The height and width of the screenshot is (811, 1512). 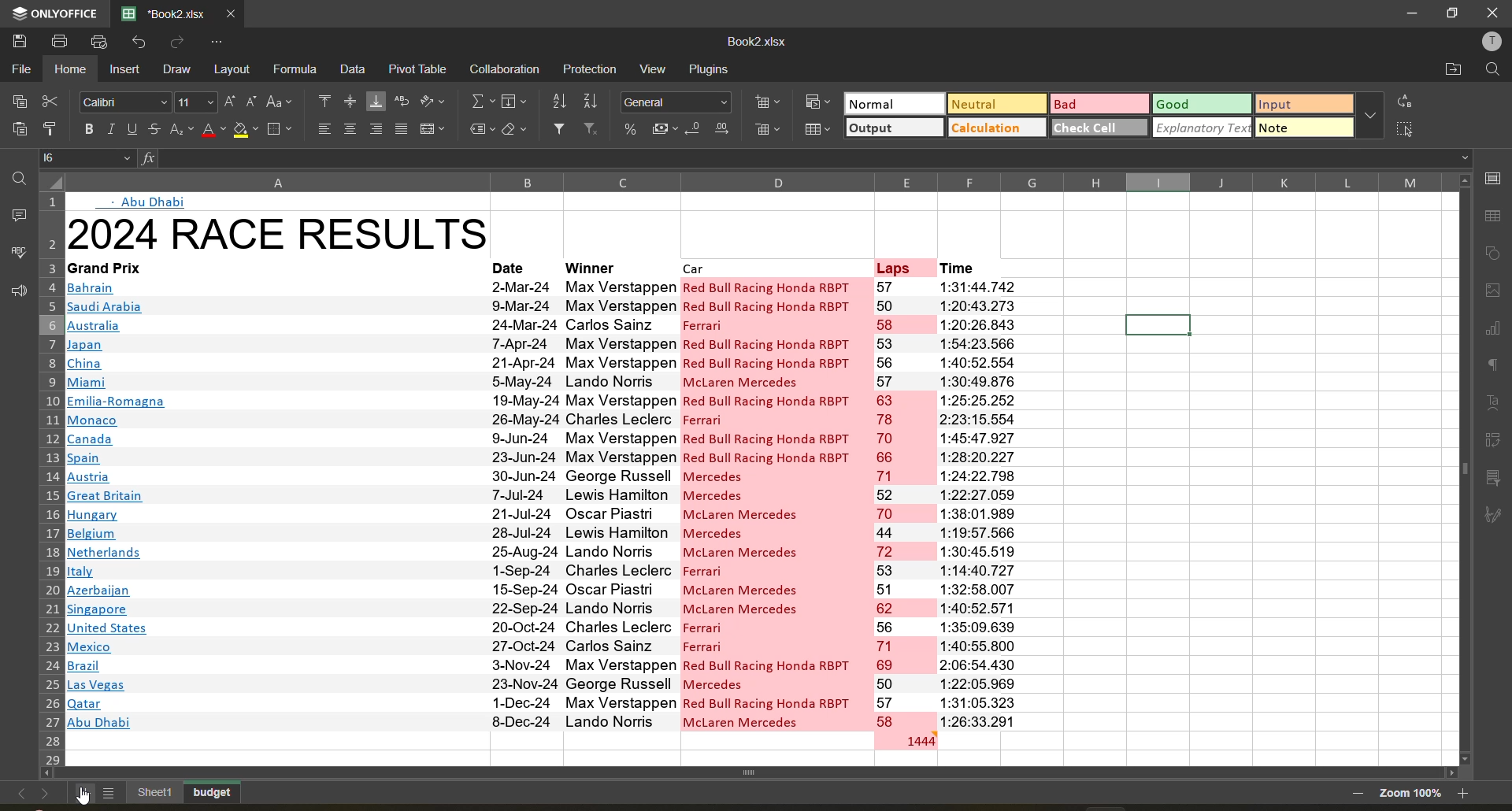 What do you see at coordinates (665, 128) in the screenshot?
I see `accounting` at bounding box center [665, 128].